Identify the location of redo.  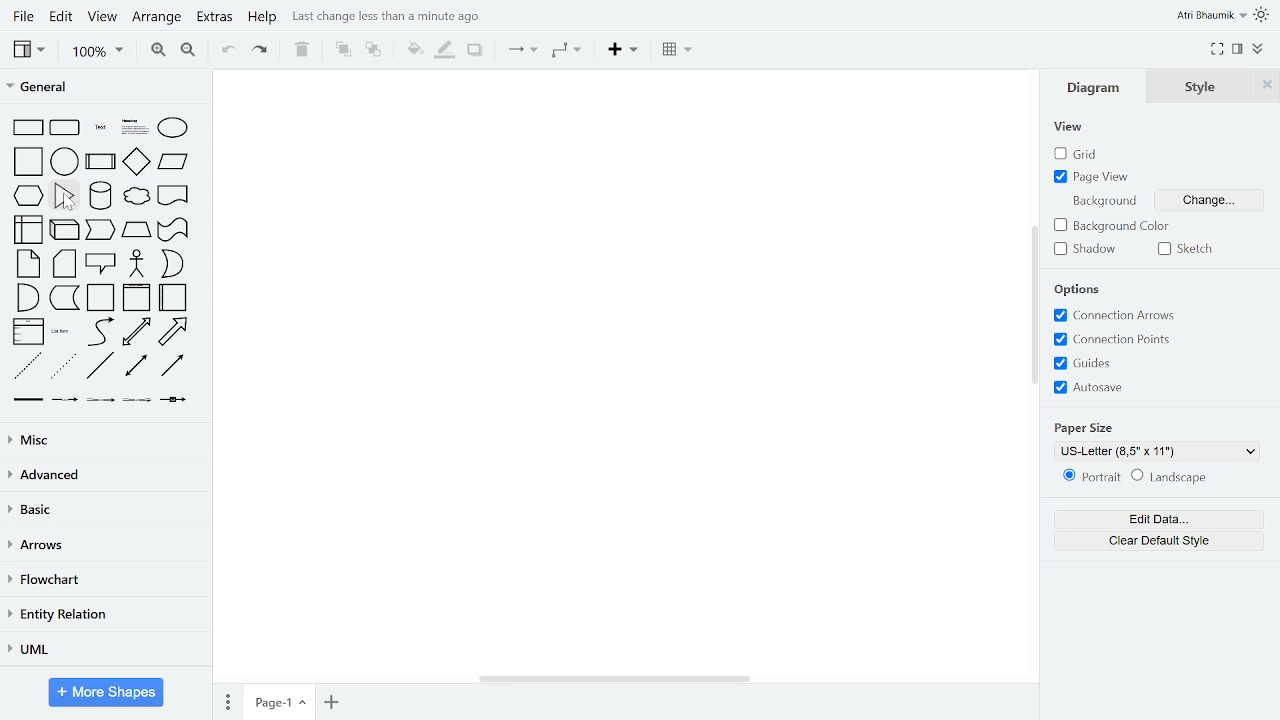
(261, 50).